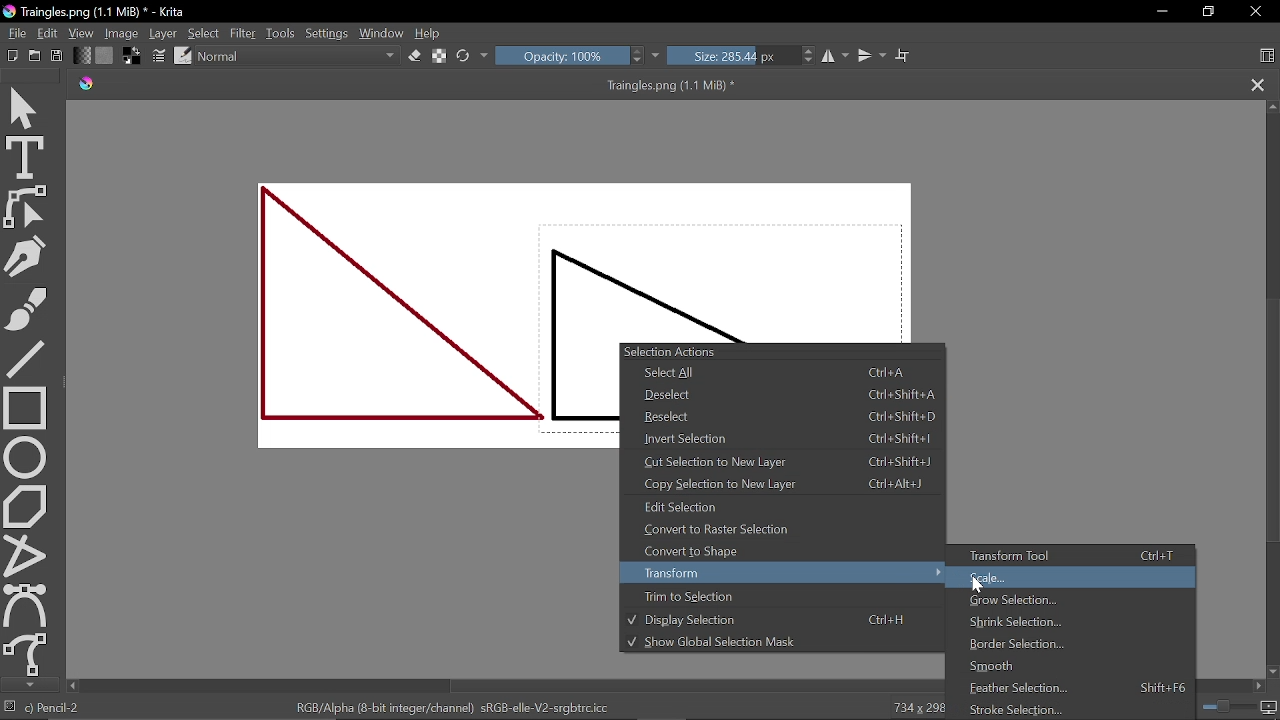  What do you see at coordinates (35, 55) in the screenshot?
I see `Create new file` at bounding box center [35, 55].